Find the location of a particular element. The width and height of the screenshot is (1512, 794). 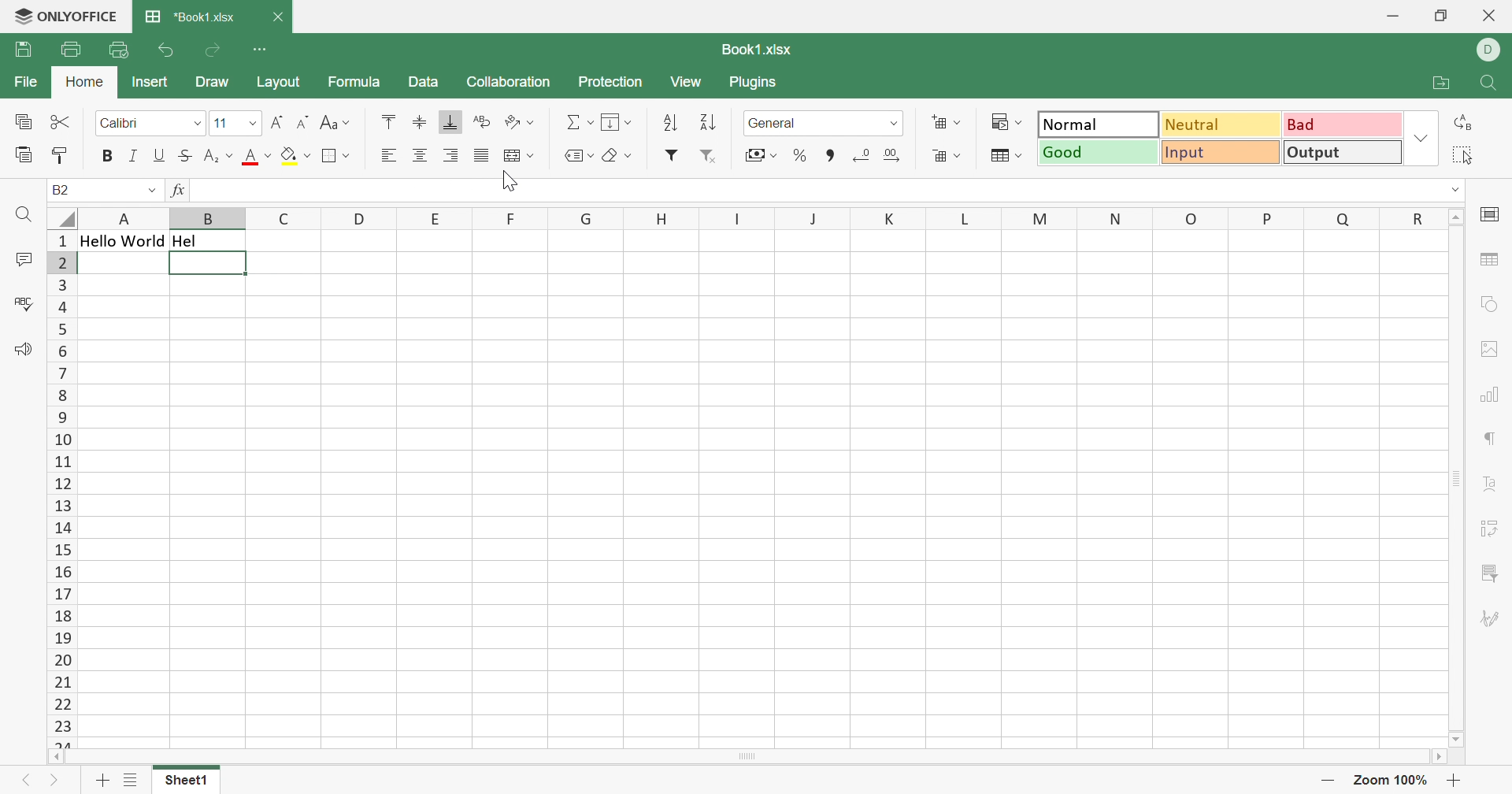

Increment font size is located at coordinates (276, 124).